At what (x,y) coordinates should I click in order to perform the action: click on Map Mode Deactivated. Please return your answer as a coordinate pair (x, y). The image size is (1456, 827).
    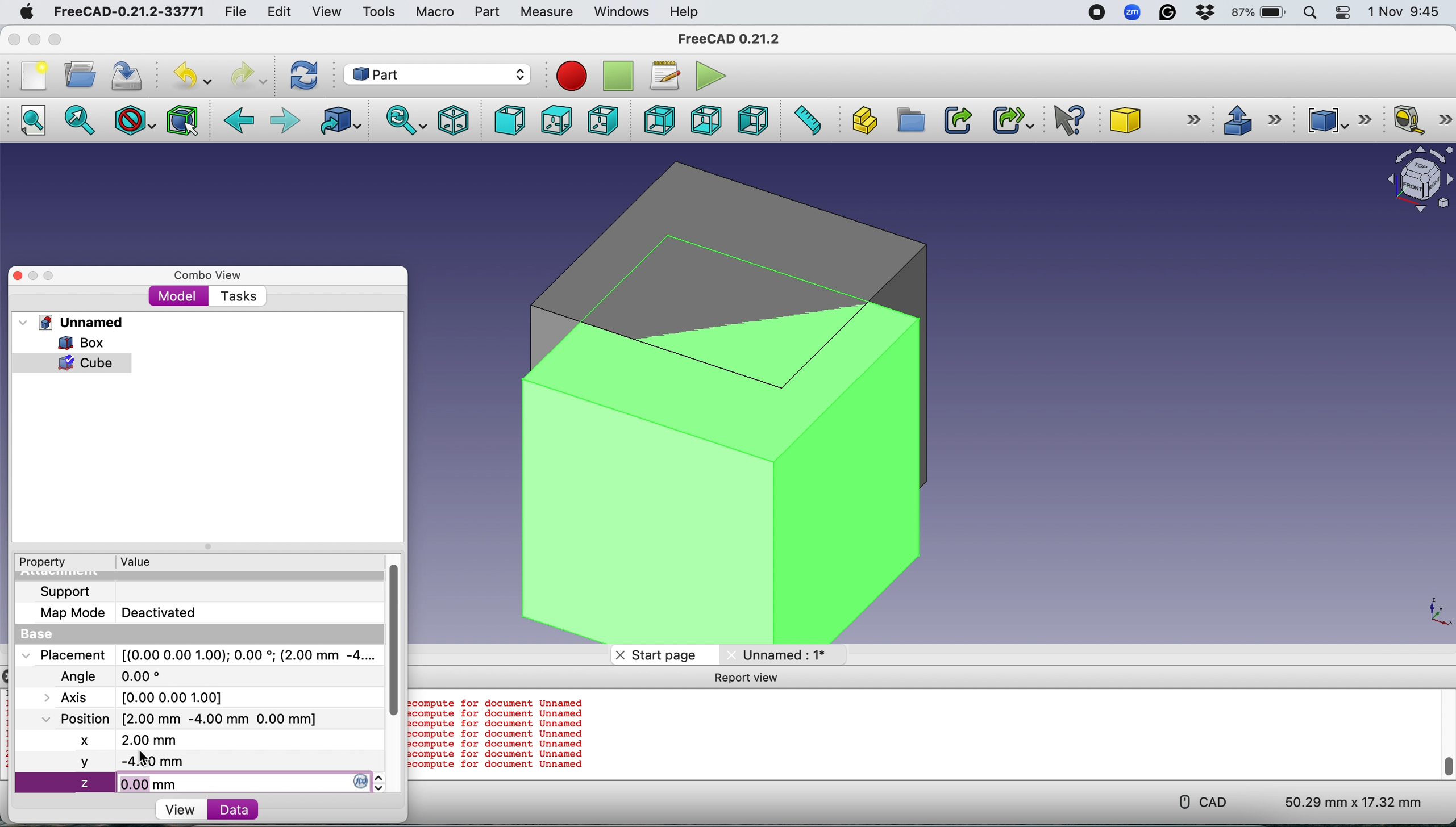
    Looking at the image, I should click on (118, 614).